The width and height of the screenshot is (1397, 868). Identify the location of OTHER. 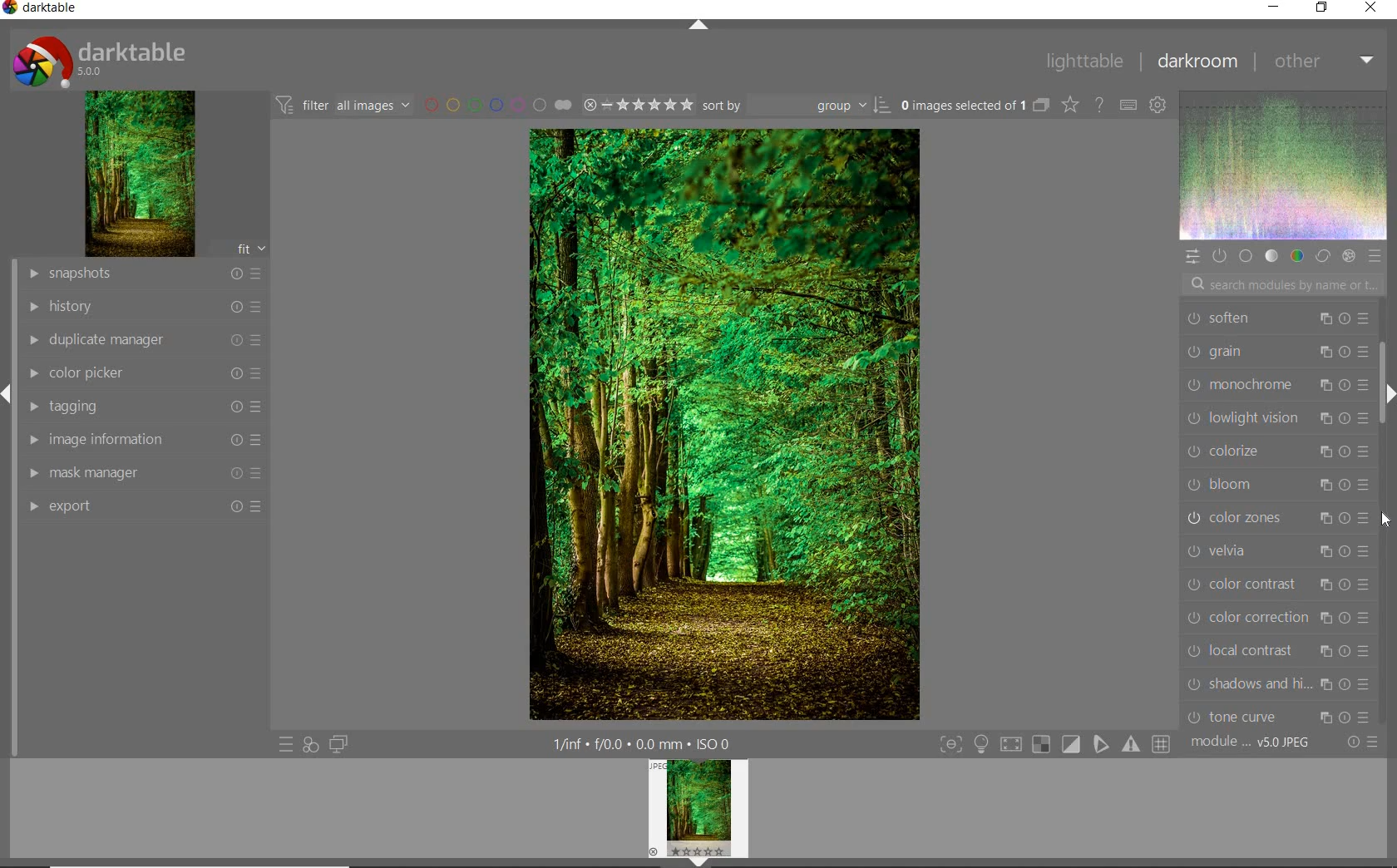
(1325, 61).